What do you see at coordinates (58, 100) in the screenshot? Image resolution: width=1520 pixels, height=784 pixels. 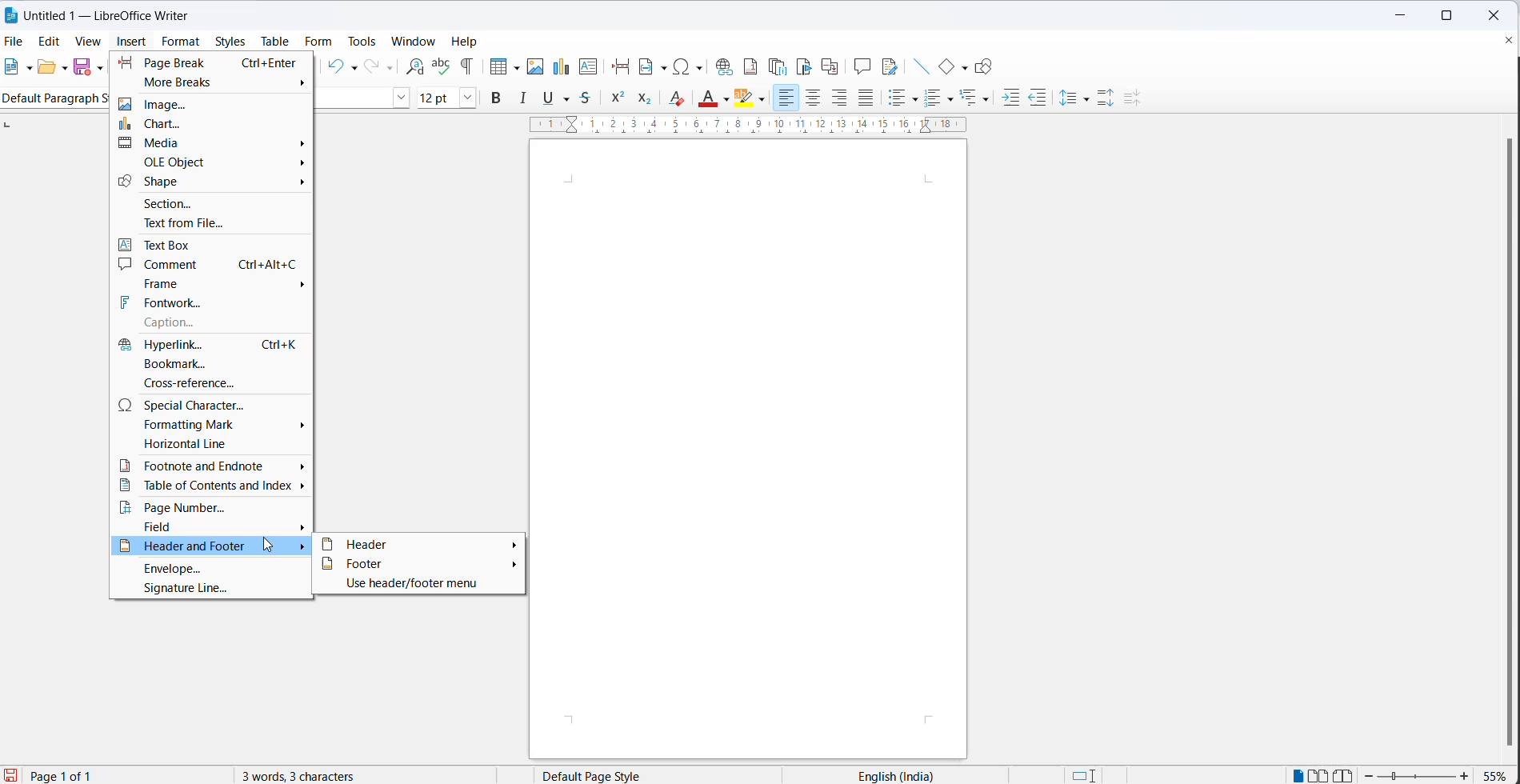 I see `Default paragraph style` at bounding box center [58, 100].